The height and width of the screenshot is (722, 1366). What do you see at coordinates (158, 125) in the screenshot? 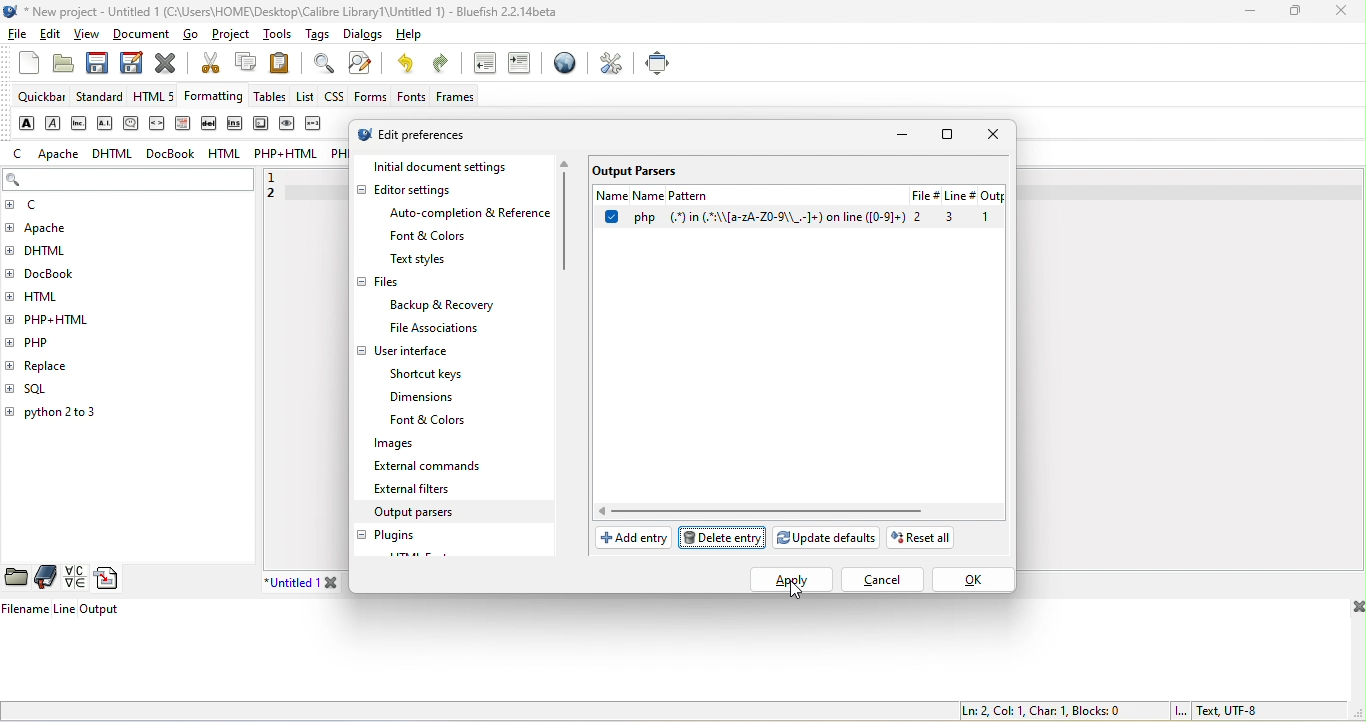
I see `code` at bounding box center [158, 125].